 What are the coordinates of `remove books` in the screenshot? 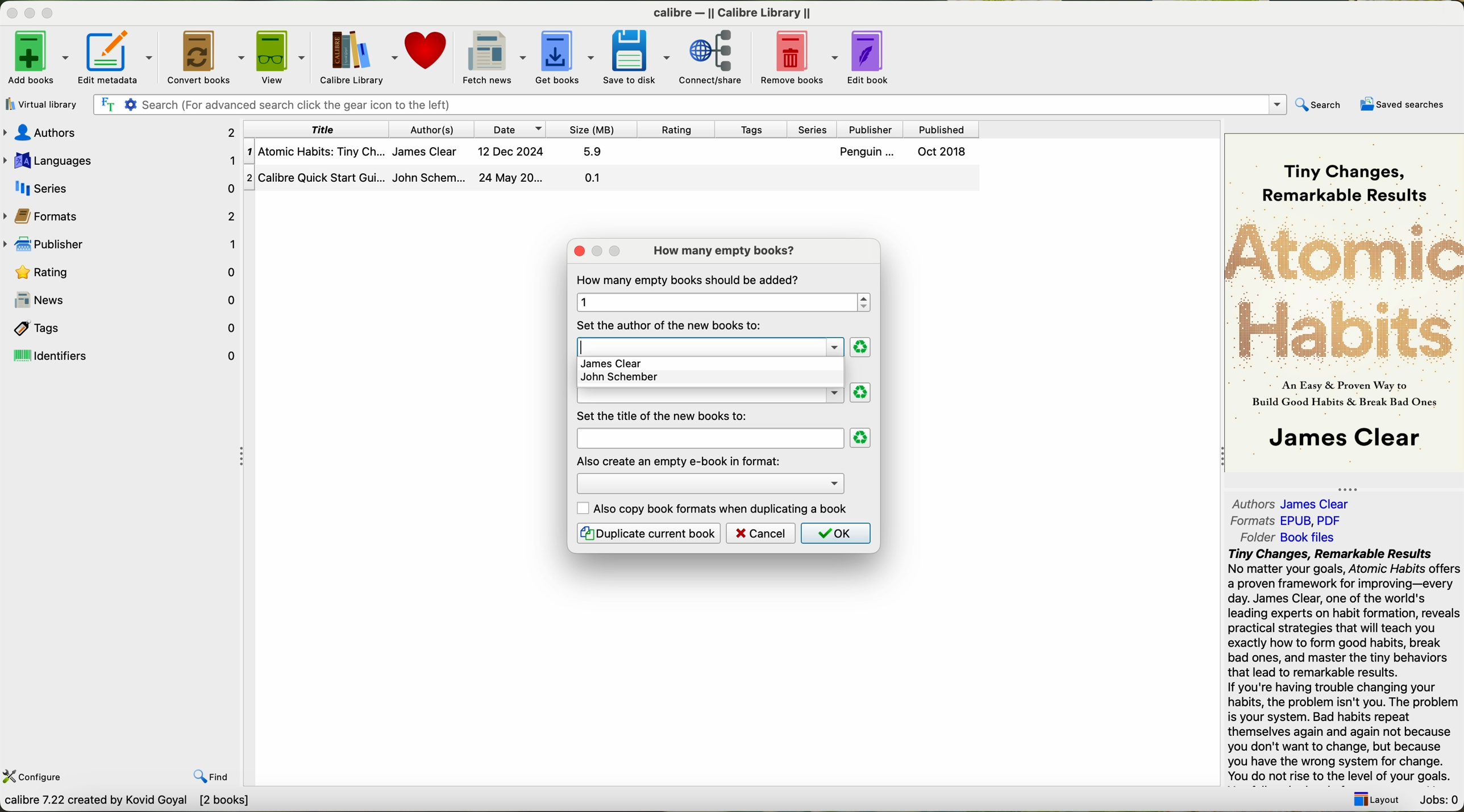 It's located at (798, 58).